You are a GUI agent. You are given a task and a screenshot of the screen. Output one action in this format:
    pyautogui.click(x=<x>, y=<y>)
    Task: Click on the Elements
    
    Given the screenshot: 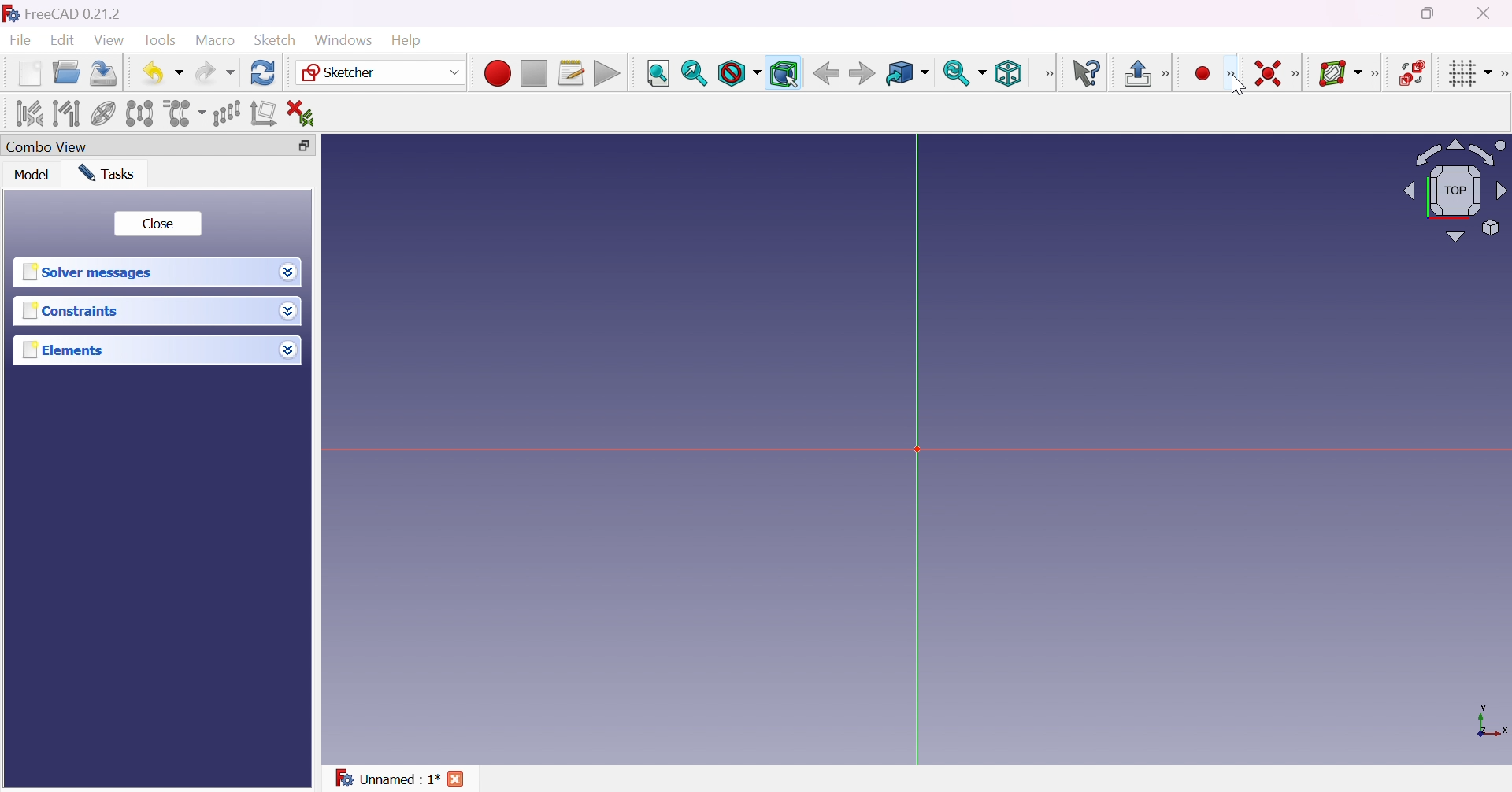 What is the action you would take?
    pyautogui.click(x=66, y=350)
    